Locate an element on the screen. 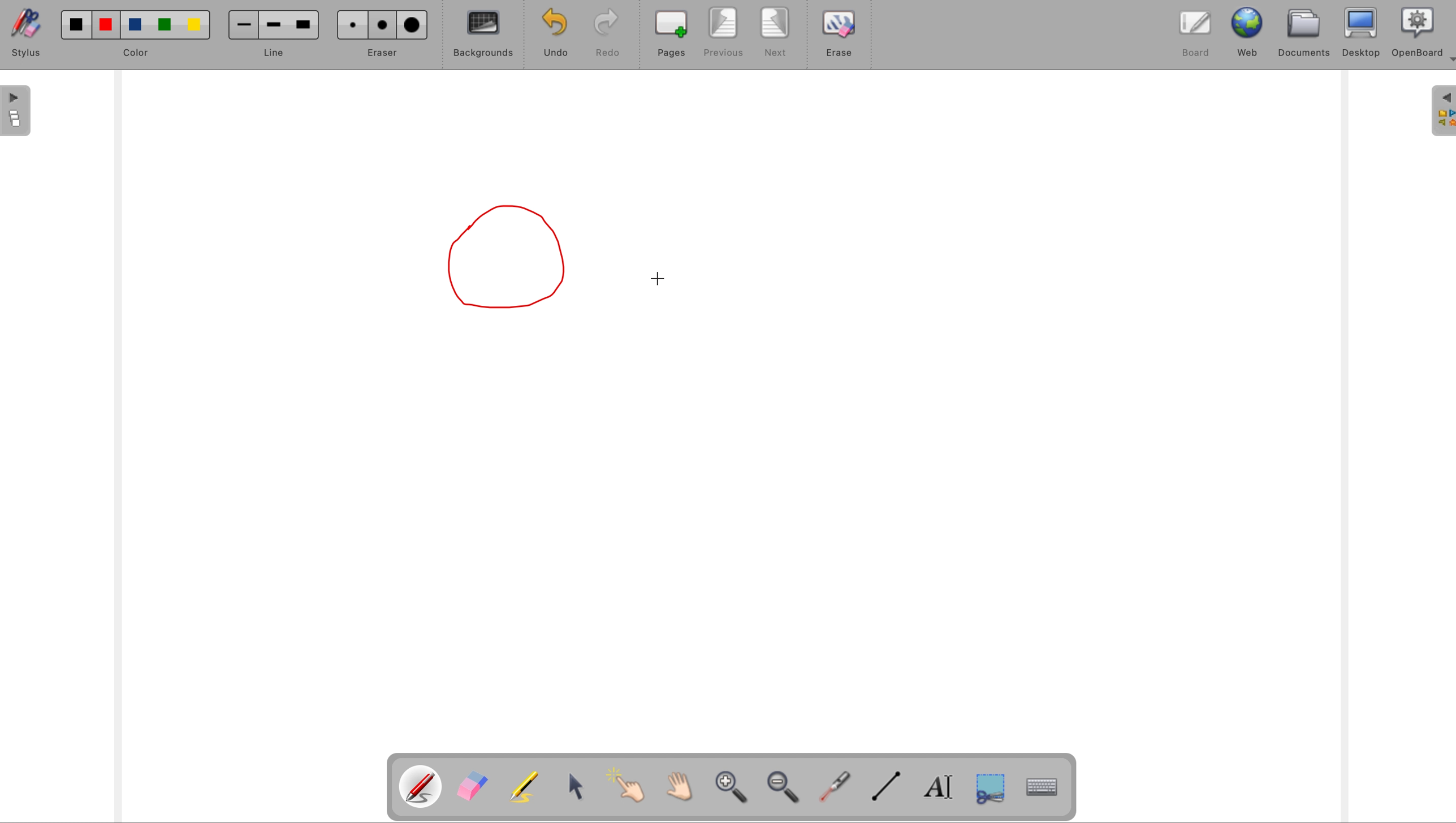 The width and height of the screenshot is (1456, 823). zoom out is located at coordinates (787, 789).